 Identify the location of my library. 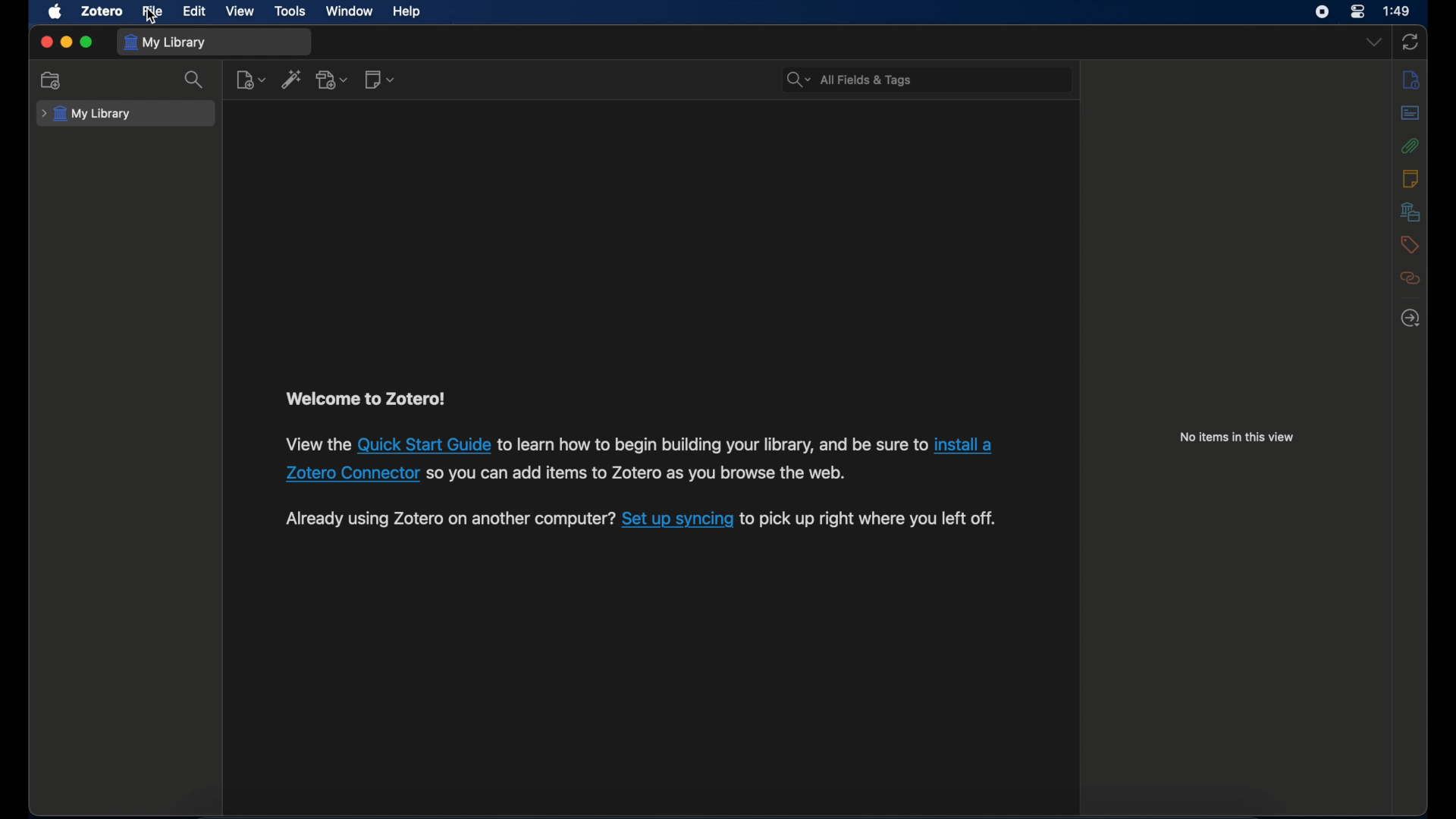
(164, 42).